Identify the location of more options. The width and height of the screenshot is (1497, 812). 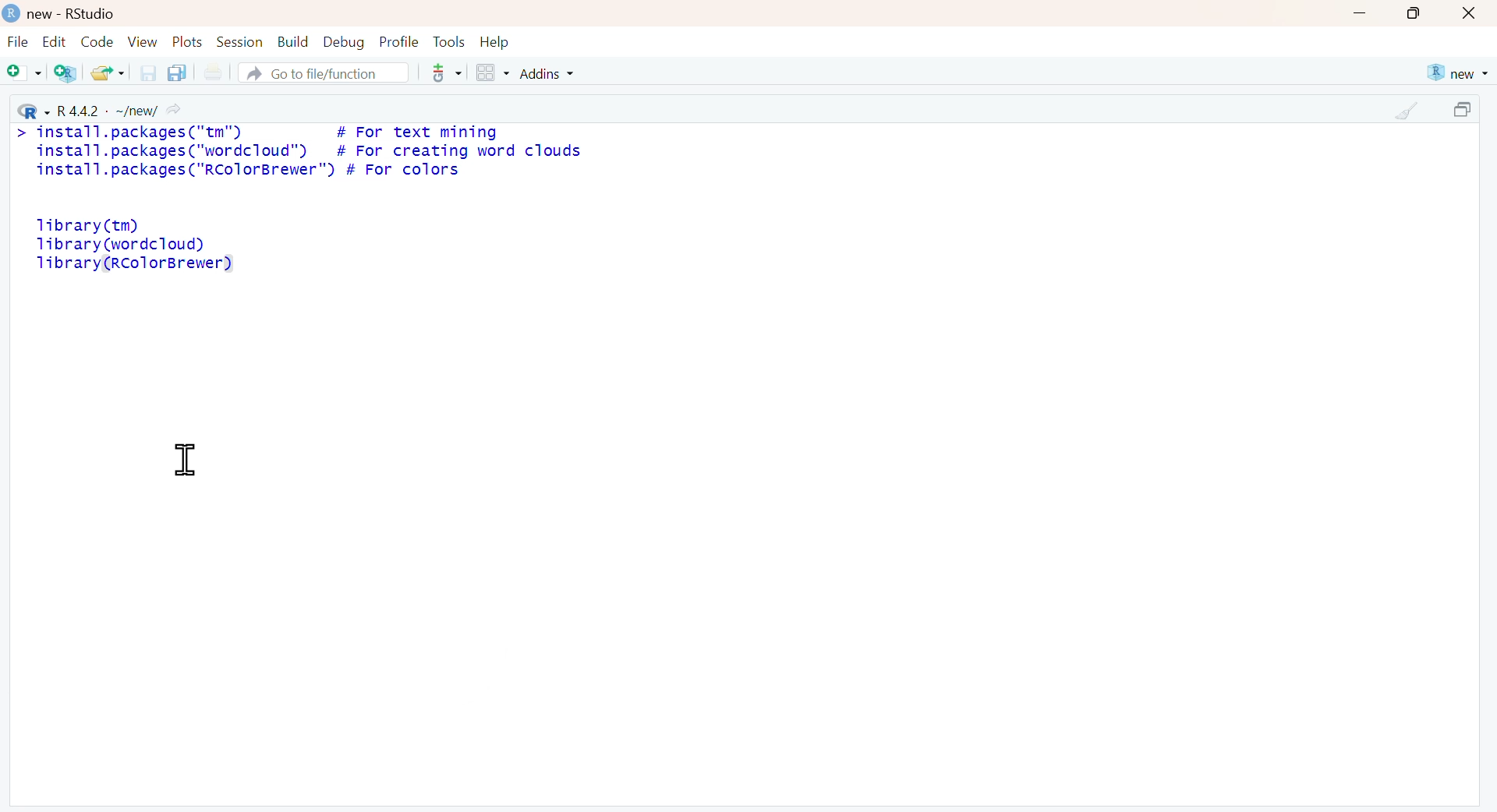
(445, 72).